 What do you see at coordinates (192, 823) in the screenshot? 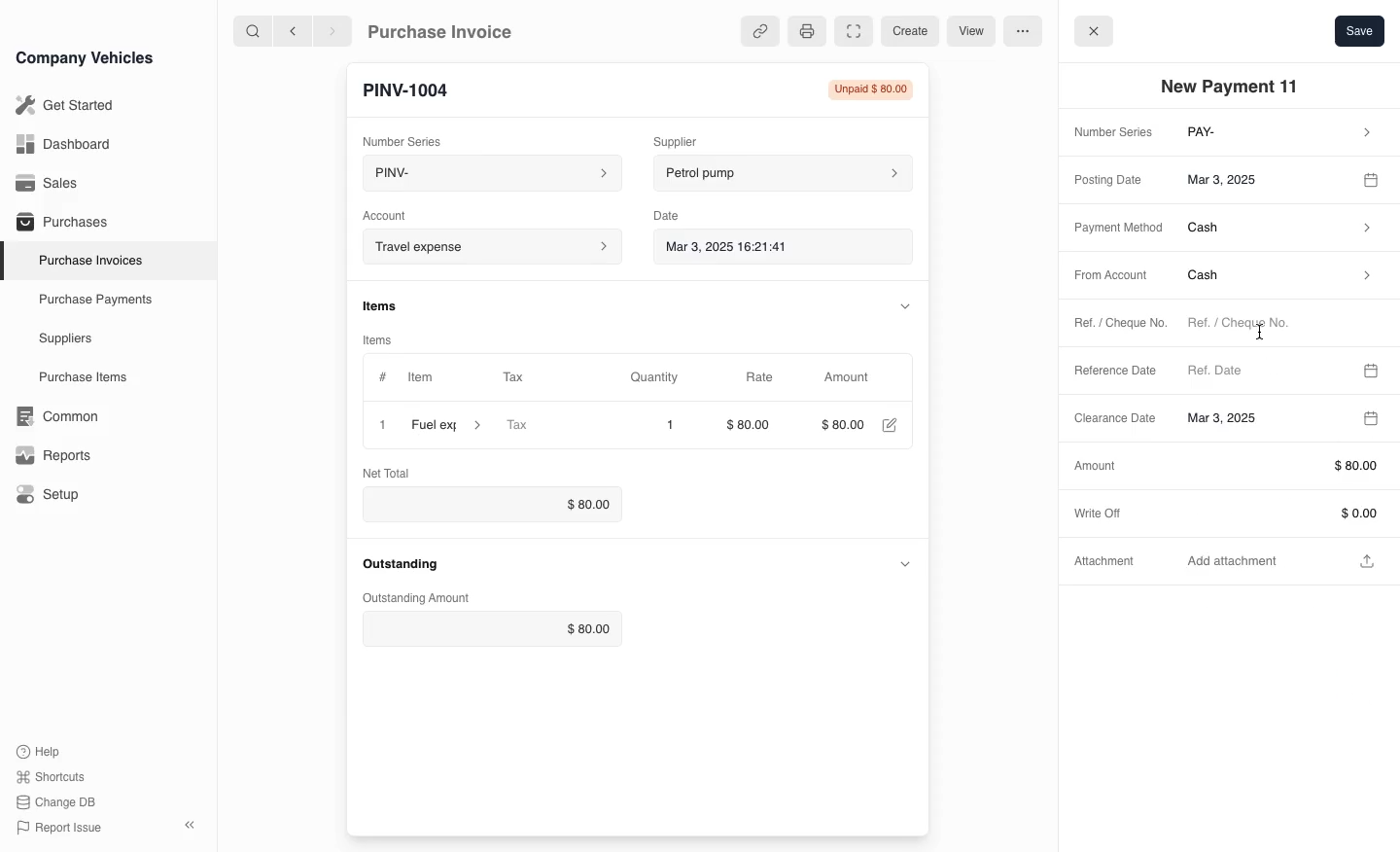
I see `close sidebar` at bounding box center [192, 823].